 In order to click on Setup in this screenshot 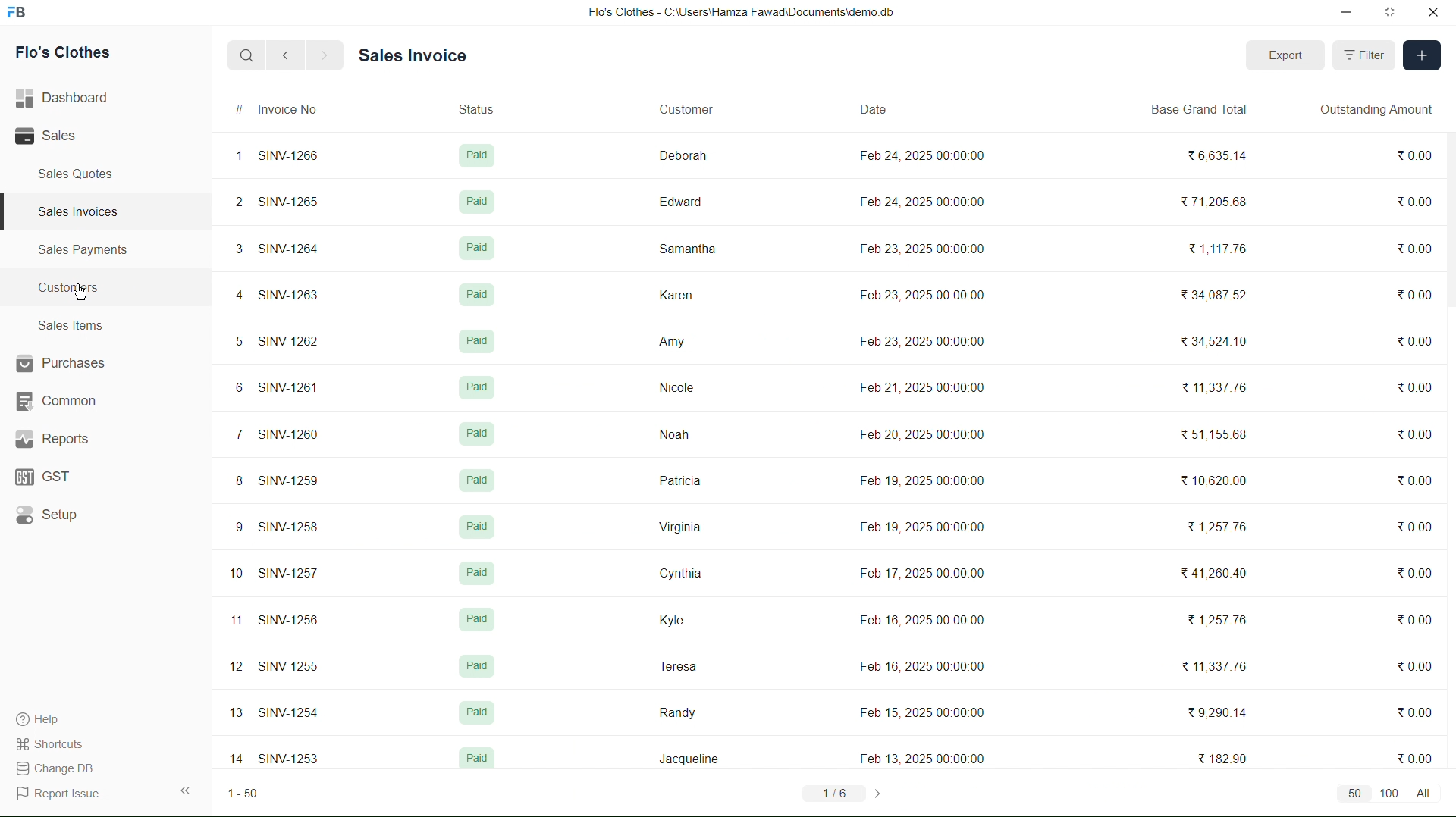, I will do `click(47, 516)`.